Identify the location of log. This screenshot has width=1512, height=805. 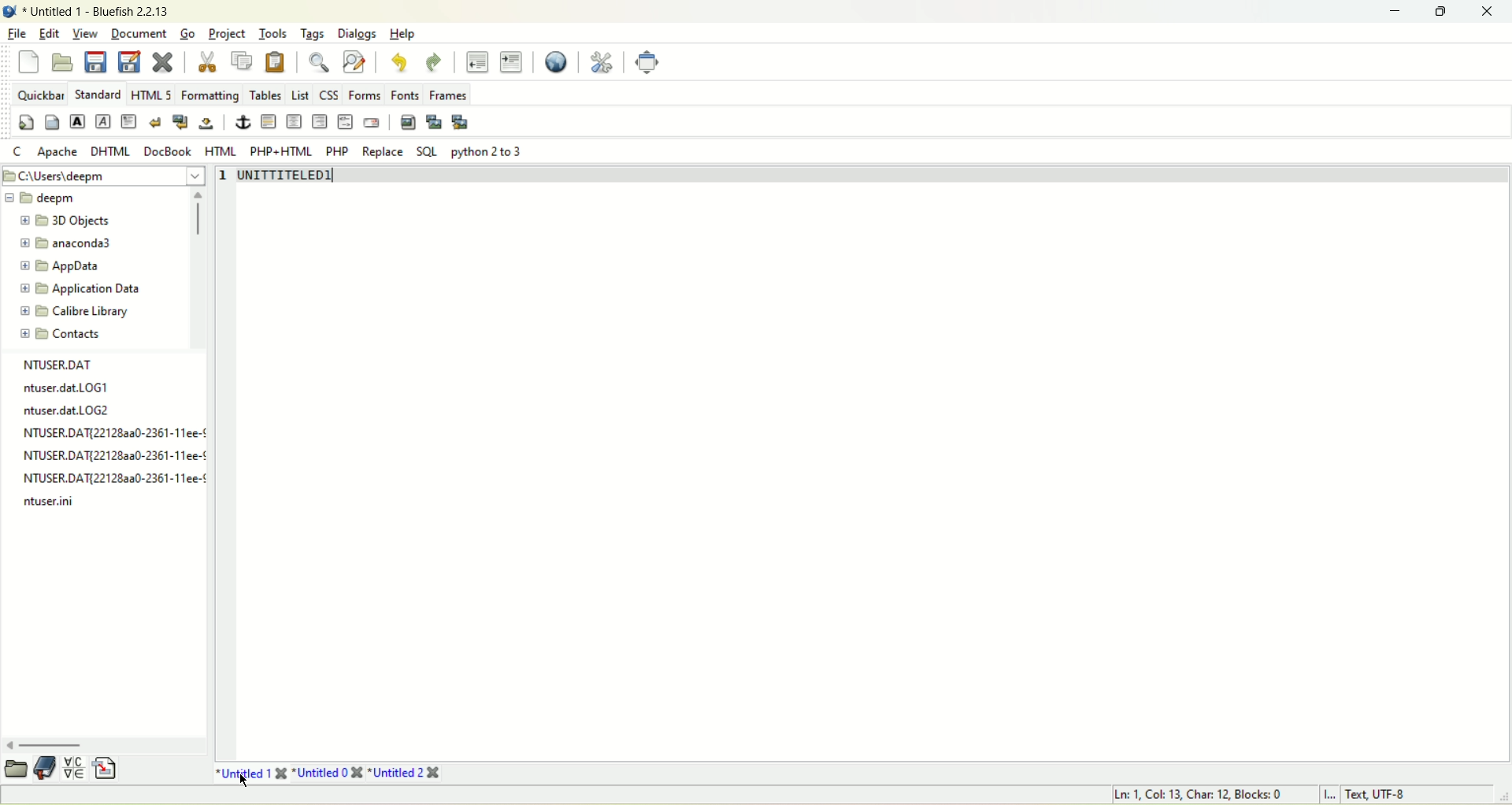
(50, 500).